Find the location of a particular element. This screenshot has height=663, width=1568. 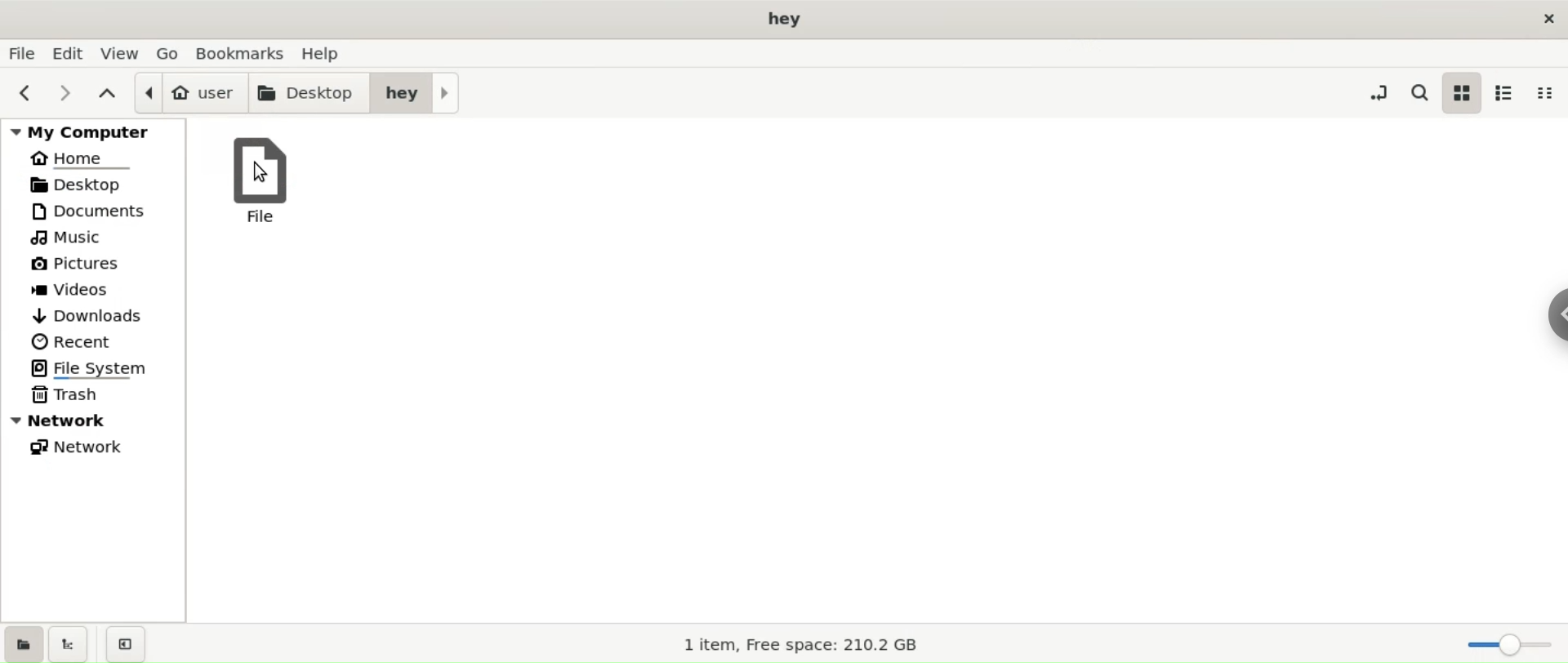

zoom is located at coordinates (1503, 643).